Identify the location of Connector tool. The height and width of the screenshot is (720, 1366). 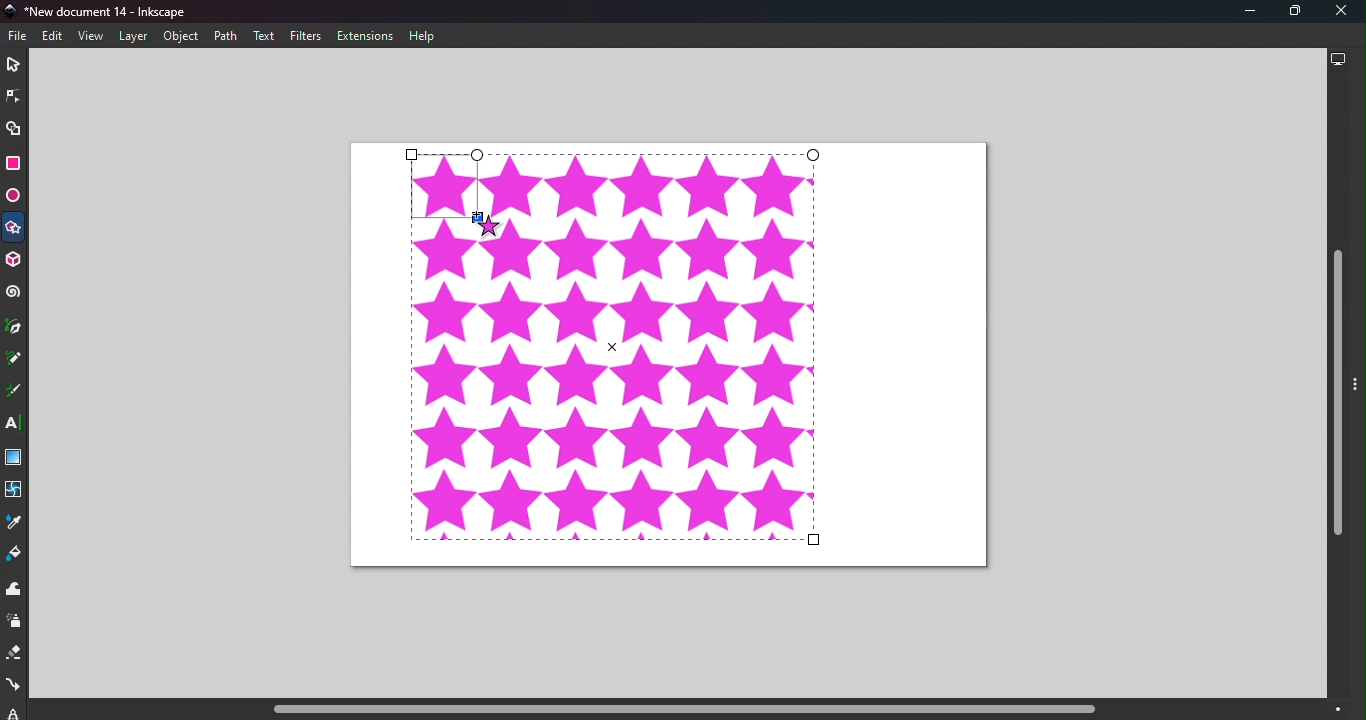
(13, 687).